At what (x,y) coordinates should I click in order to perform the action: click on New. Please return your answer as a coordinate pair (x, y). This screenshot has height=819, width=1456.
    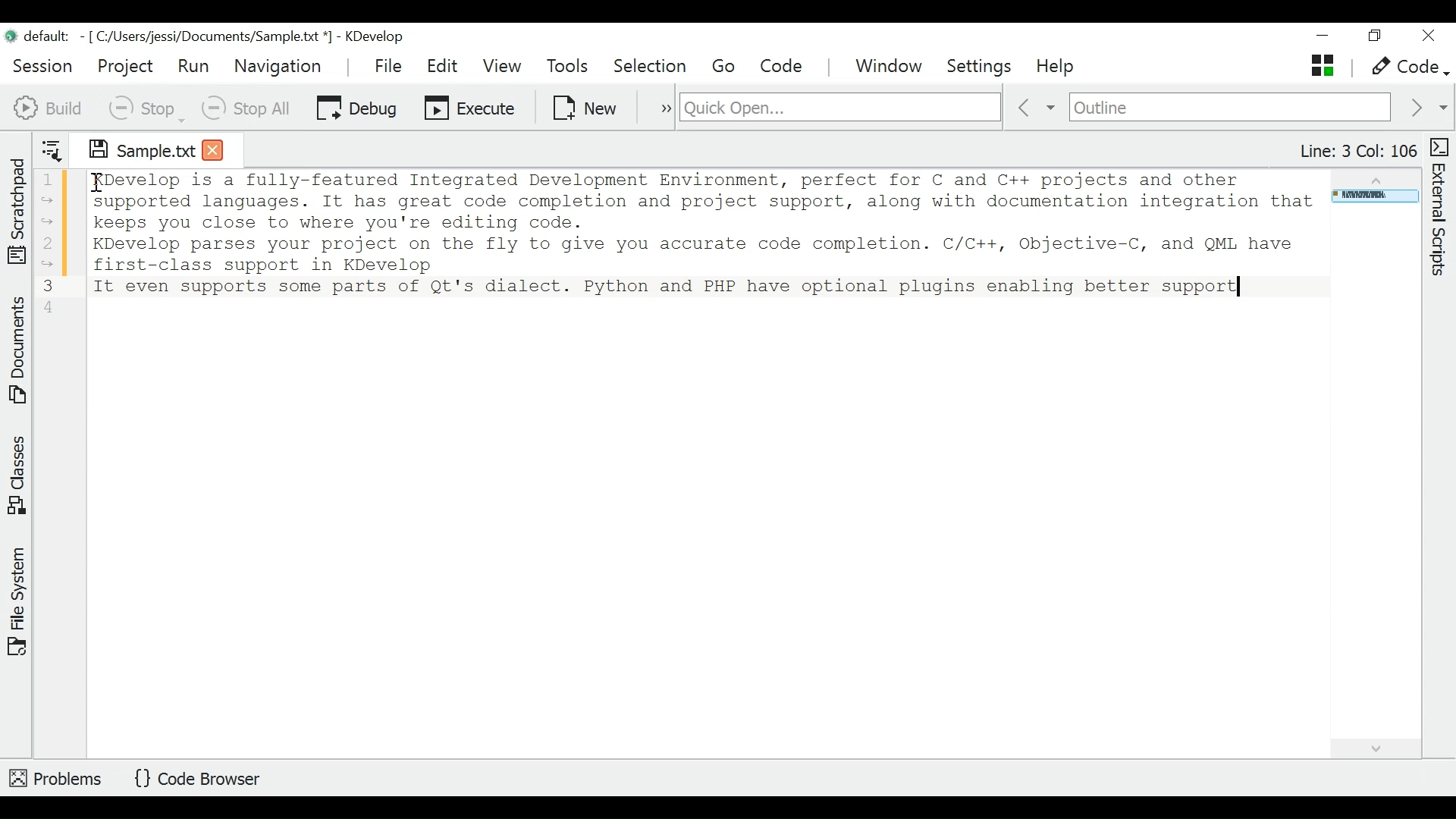
    Looking at the image, I should click on (586, 106).